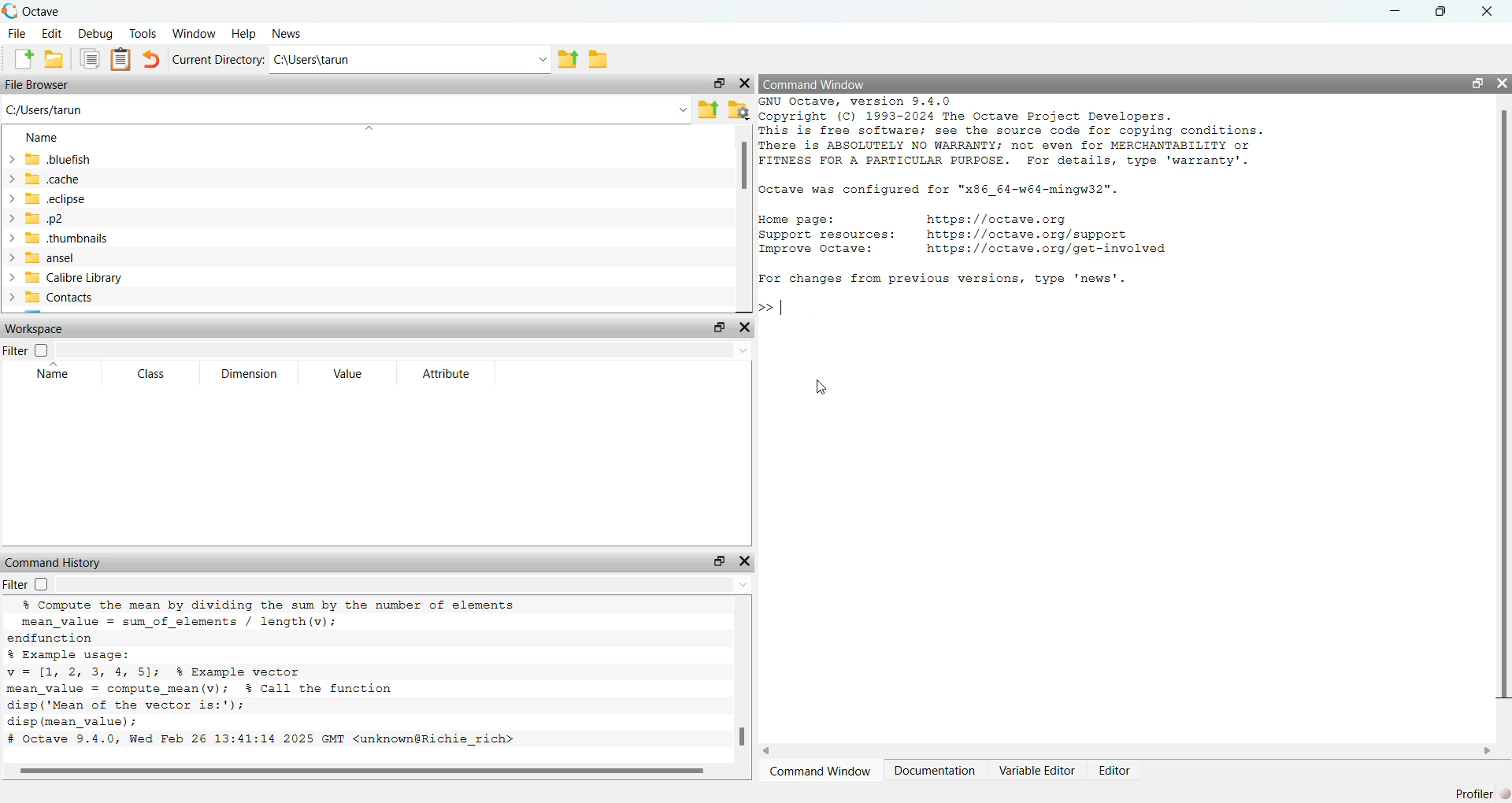 This screenshot has height=803, width=1512. What do you see at coordinates (966, 236) in the screenshot?
I see `Home page: https://octave.org
Support resources: https: //octave.org/support
Improve Octave: https: //octave.org/get-involved` at bounding box center [966, 236].